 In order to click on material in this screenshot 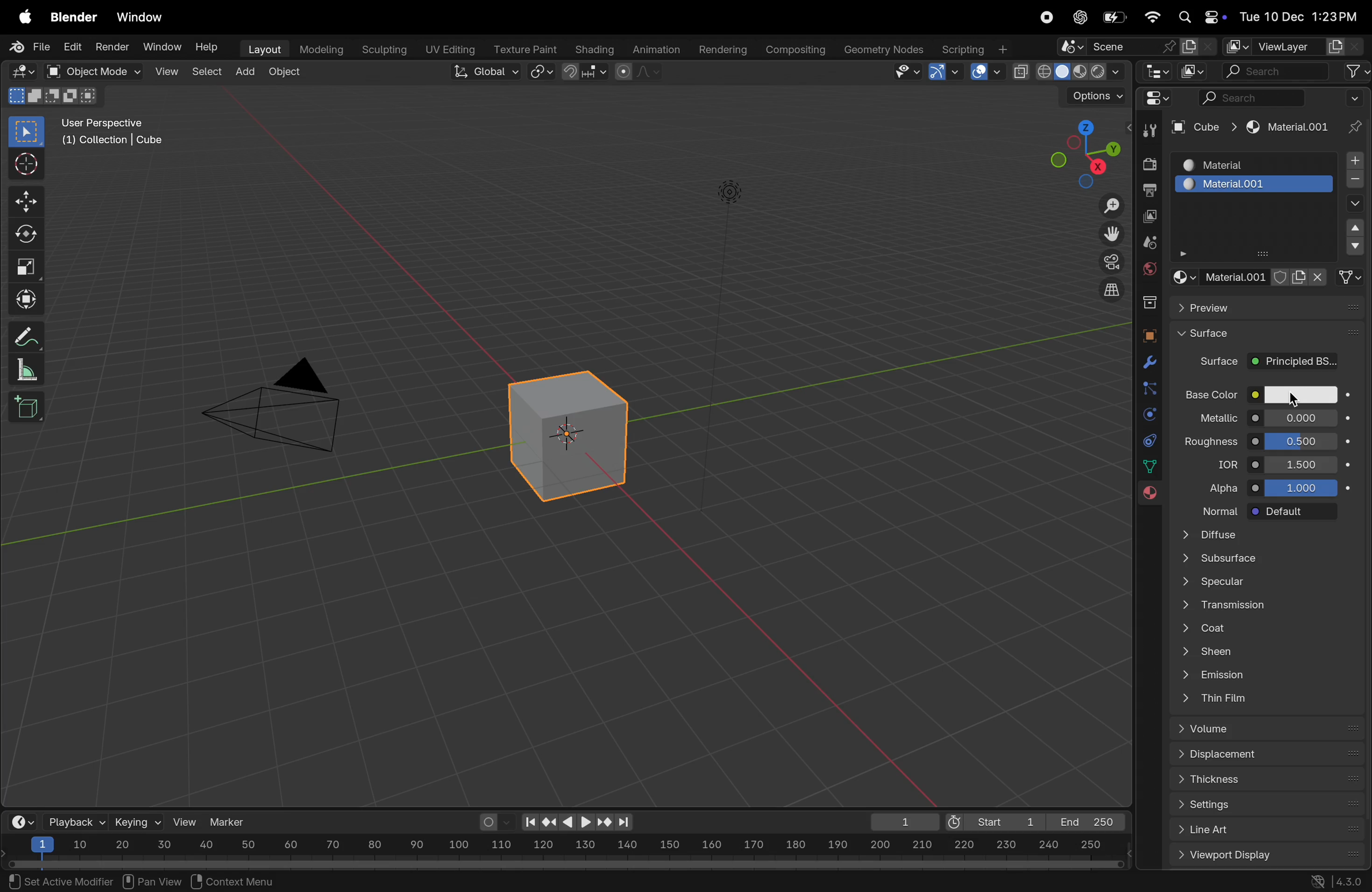, I will do `click(1285, 128)`.